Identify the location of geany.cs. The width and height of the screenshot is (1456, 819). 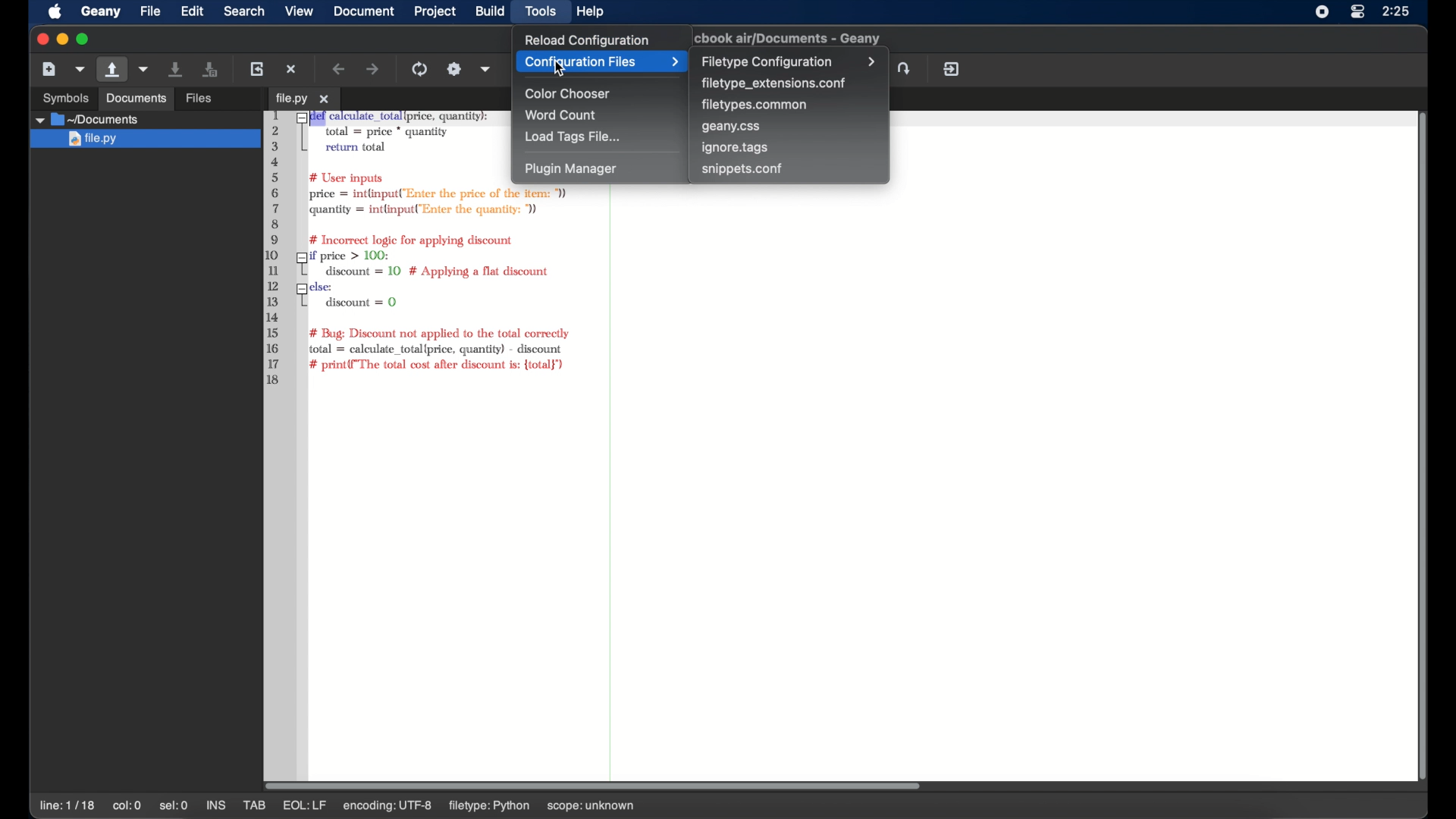
(732, 127).